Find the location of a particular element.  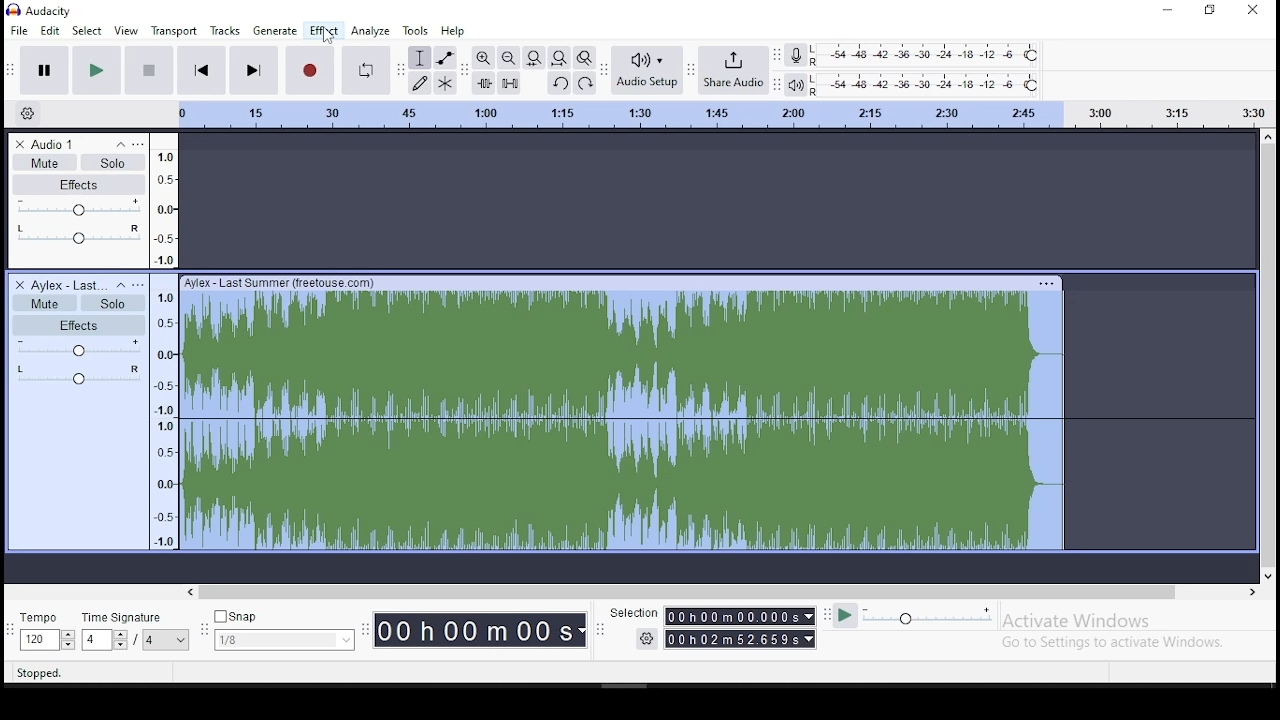

time signature is located at coordinates (137, 632).